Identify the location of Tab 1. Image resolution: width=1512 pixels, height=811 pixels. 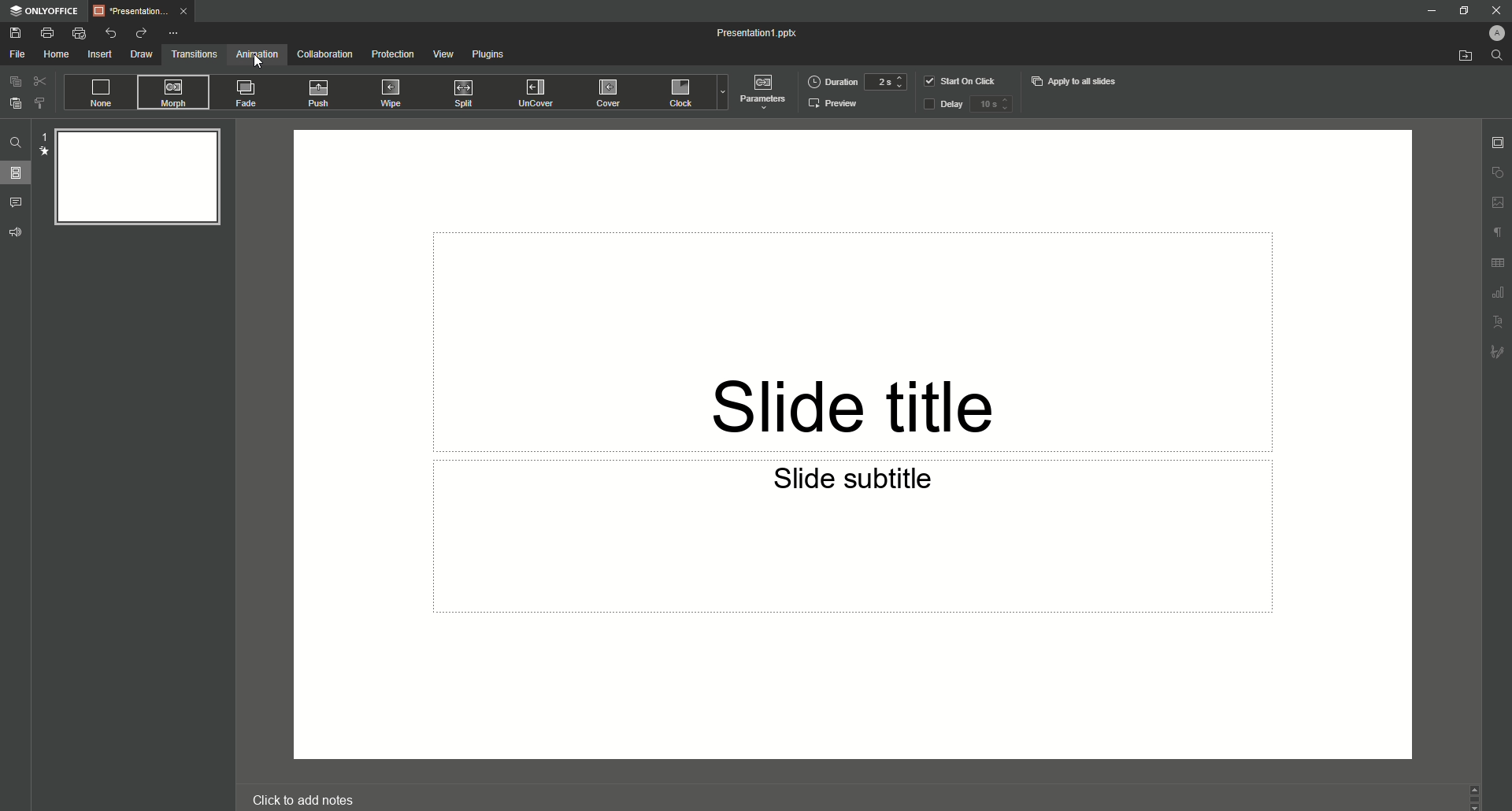
(146, 13).